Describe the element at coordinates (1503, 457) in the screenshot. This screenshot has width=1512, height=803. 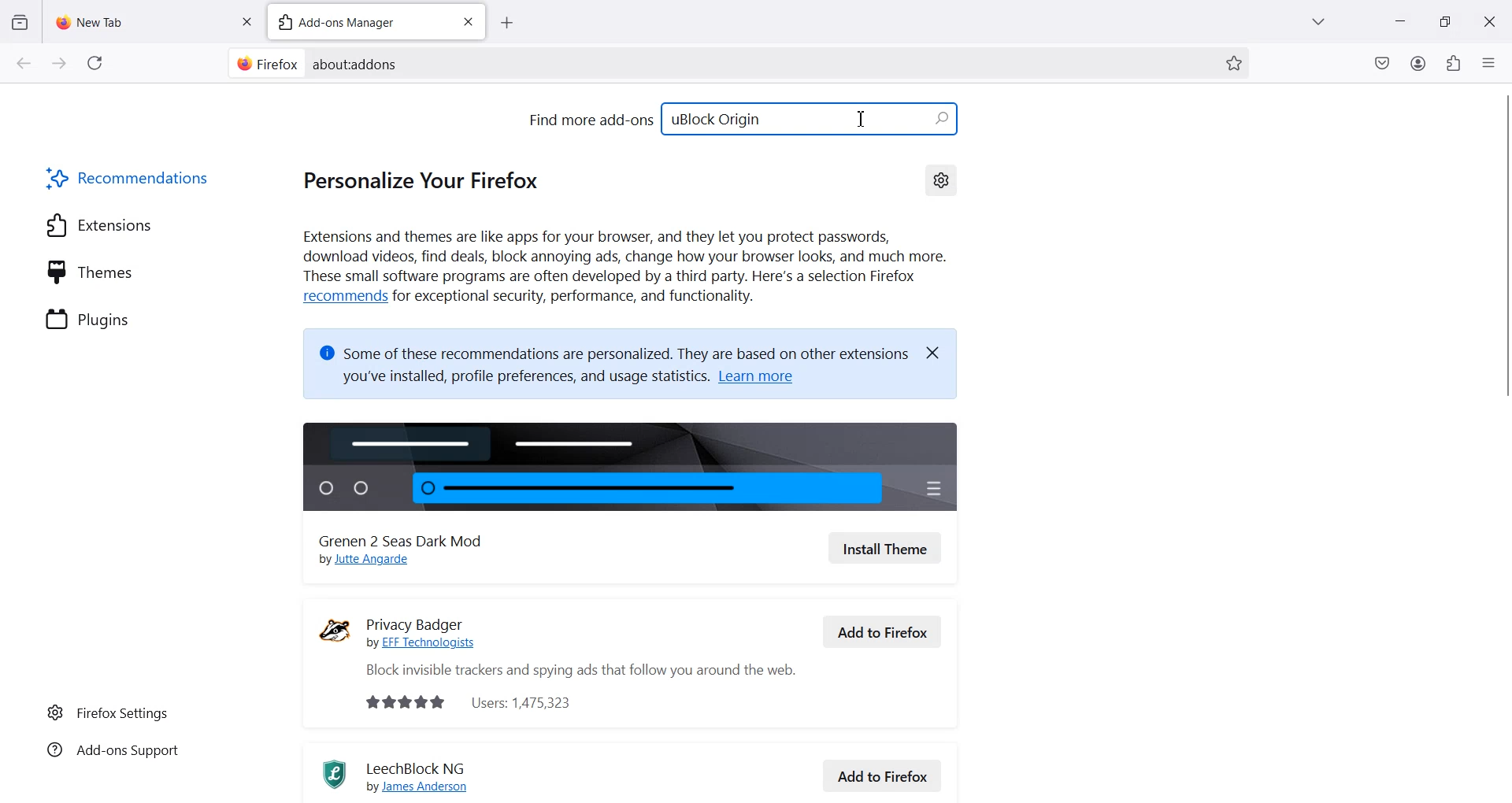
I see `Vertical scroll bar` at that location.